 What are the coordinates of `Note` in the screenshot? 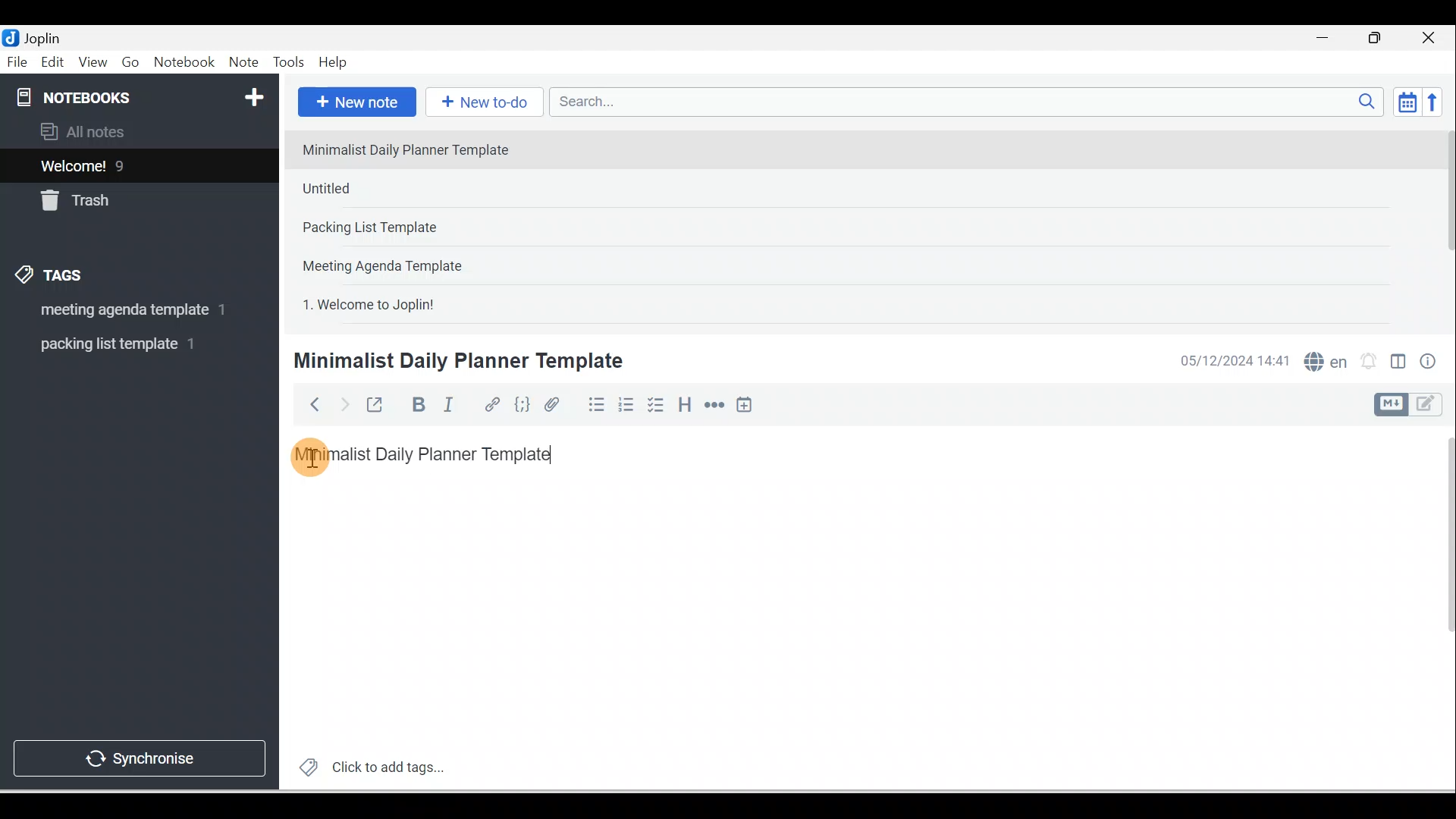 It's located at (242, 63).